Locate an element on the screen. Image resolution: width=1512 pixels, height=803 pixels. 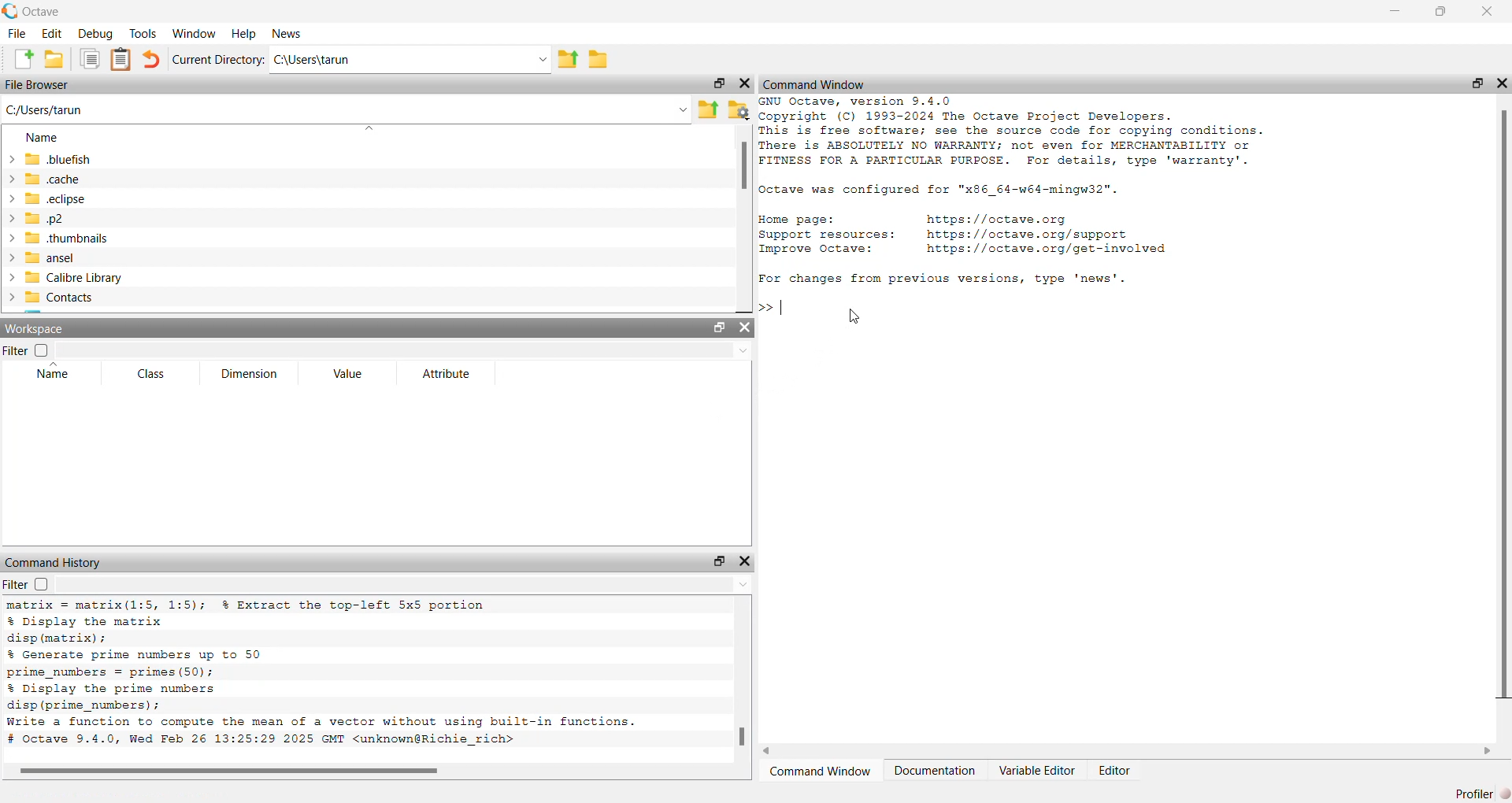
octave is located at coordinates (44, 12).